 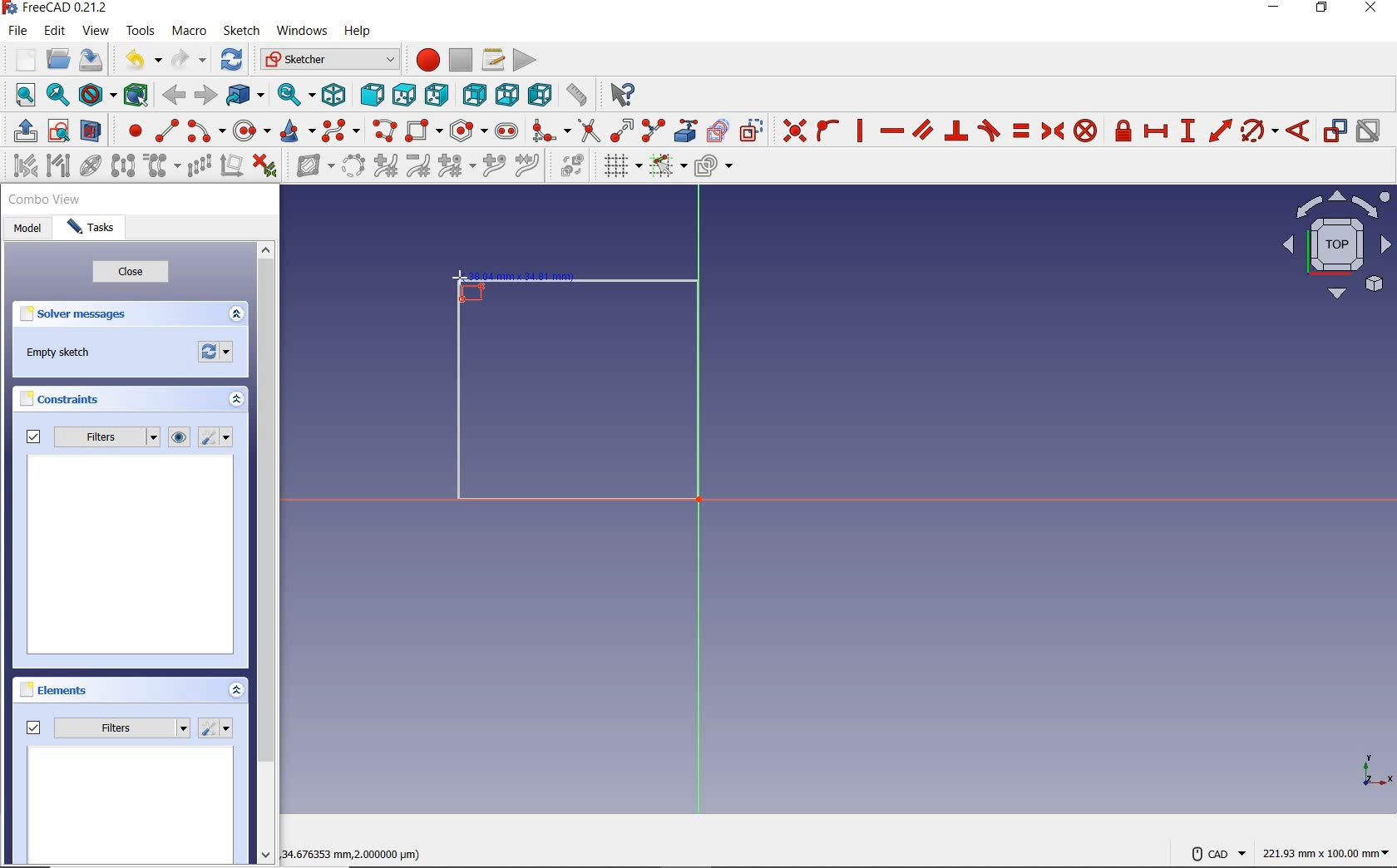 What do you see at coordinates (529, 168) in the screenshot?
I see `join curves` at bounding box center [529, 168].